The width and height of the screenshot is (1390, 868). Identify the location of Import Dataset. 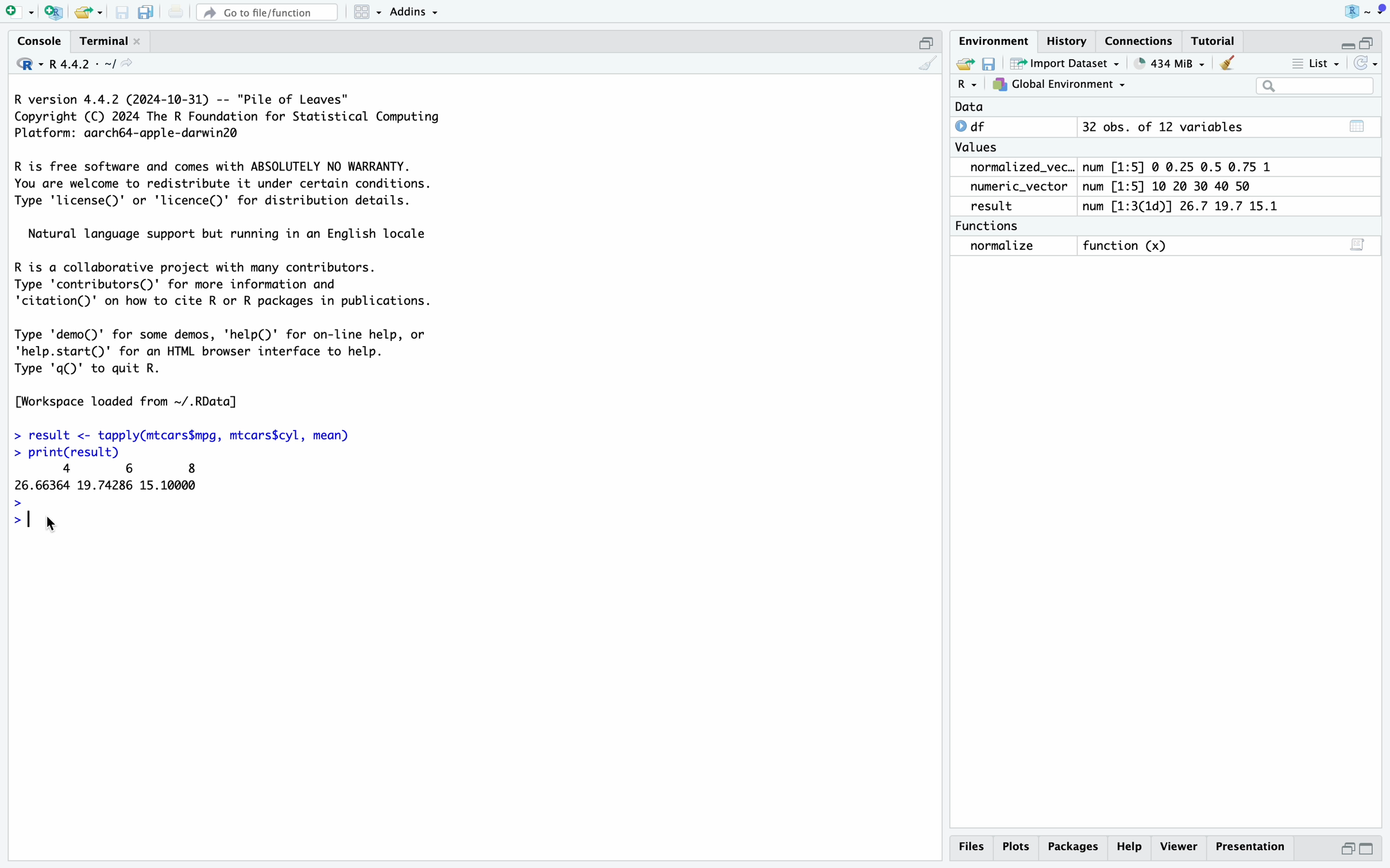
(1064, 63).